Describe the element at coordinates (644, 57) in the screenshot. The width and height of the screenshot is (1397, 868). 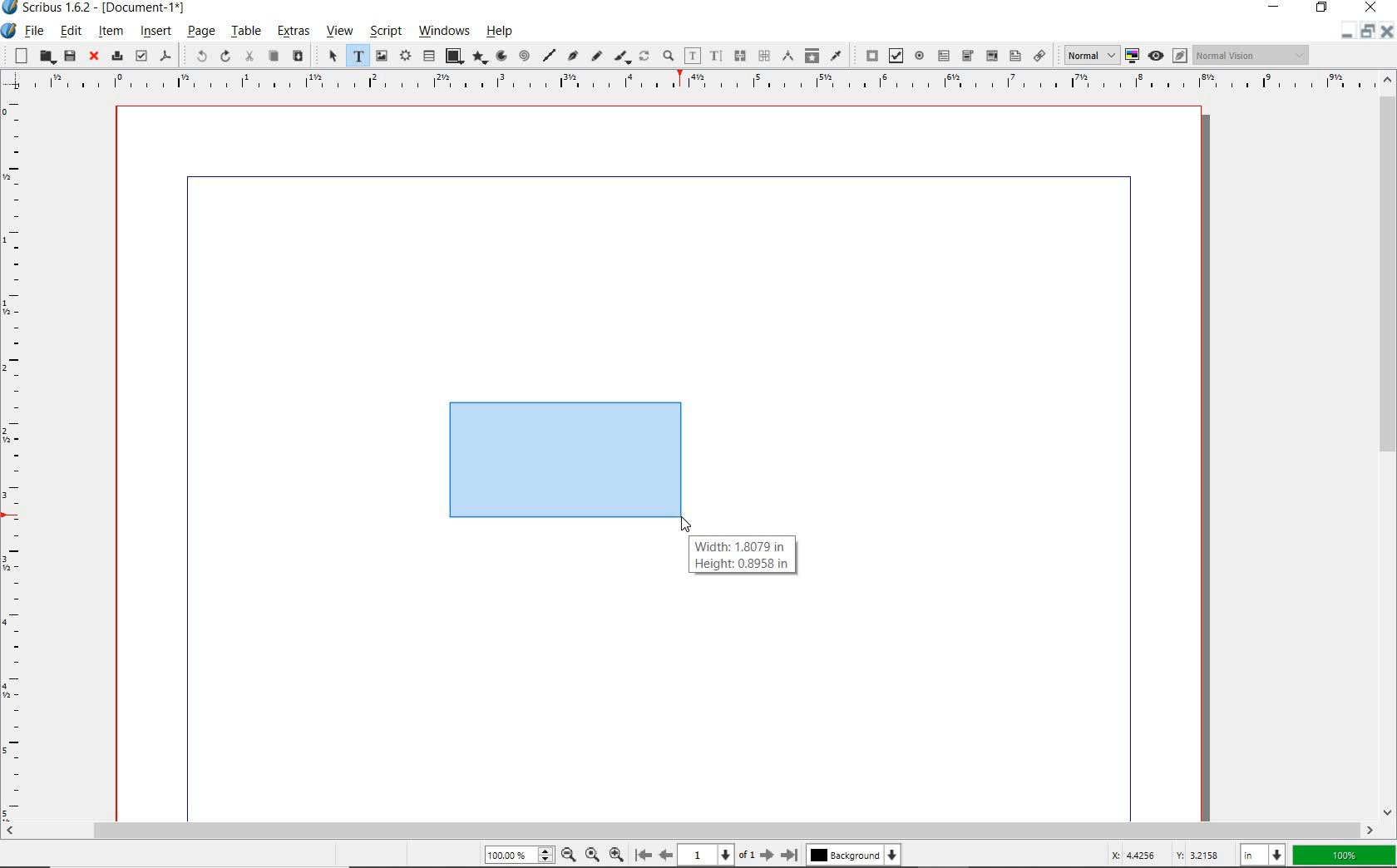
I see `rotate item` at that location.